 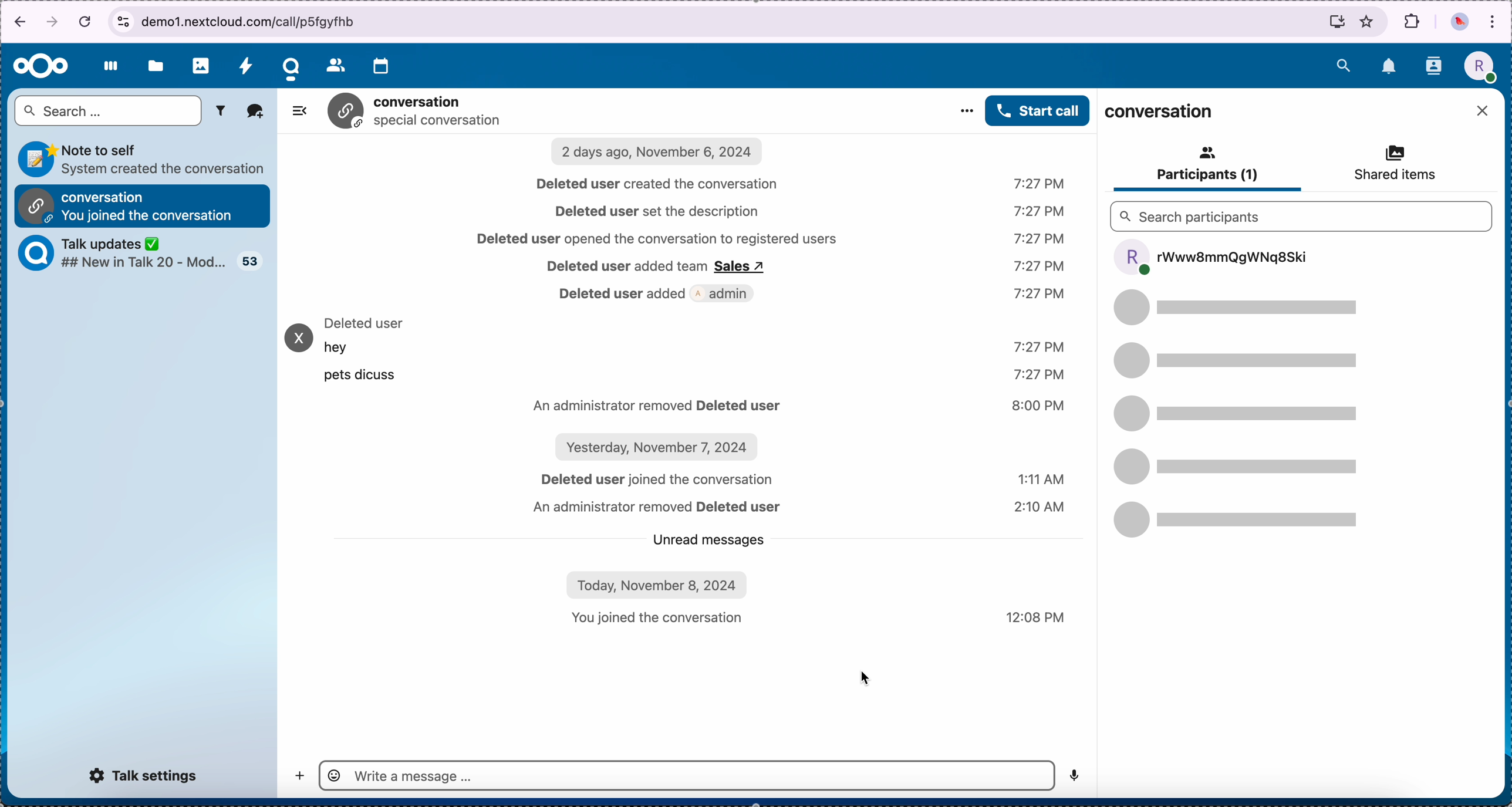 What do you see at coordinates (144, 776) in the screenshot?
I see `talk settings` at bounding box center [144, 776].